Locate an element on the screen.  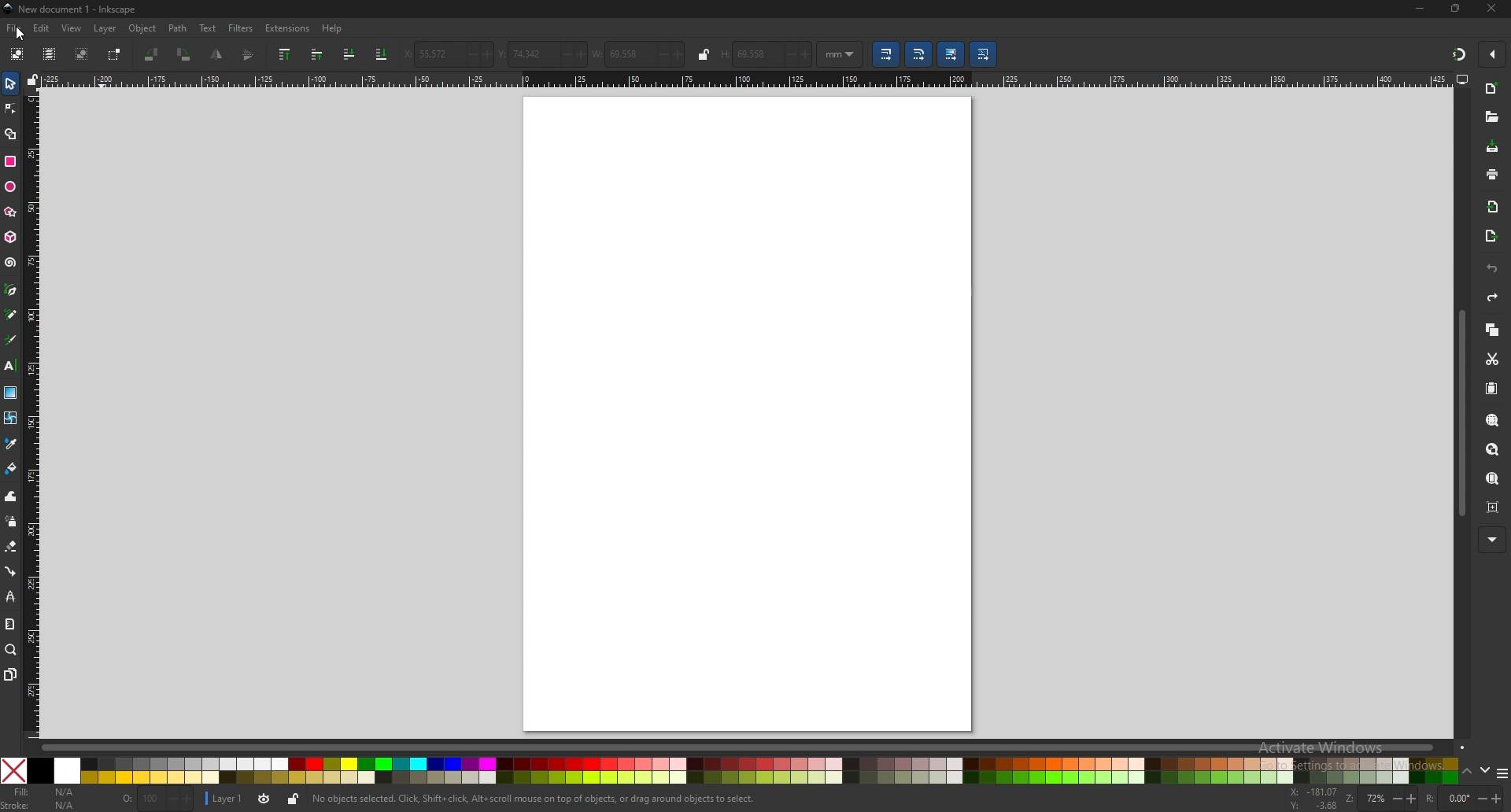
flip vertical is located at coordinates (247, 56).